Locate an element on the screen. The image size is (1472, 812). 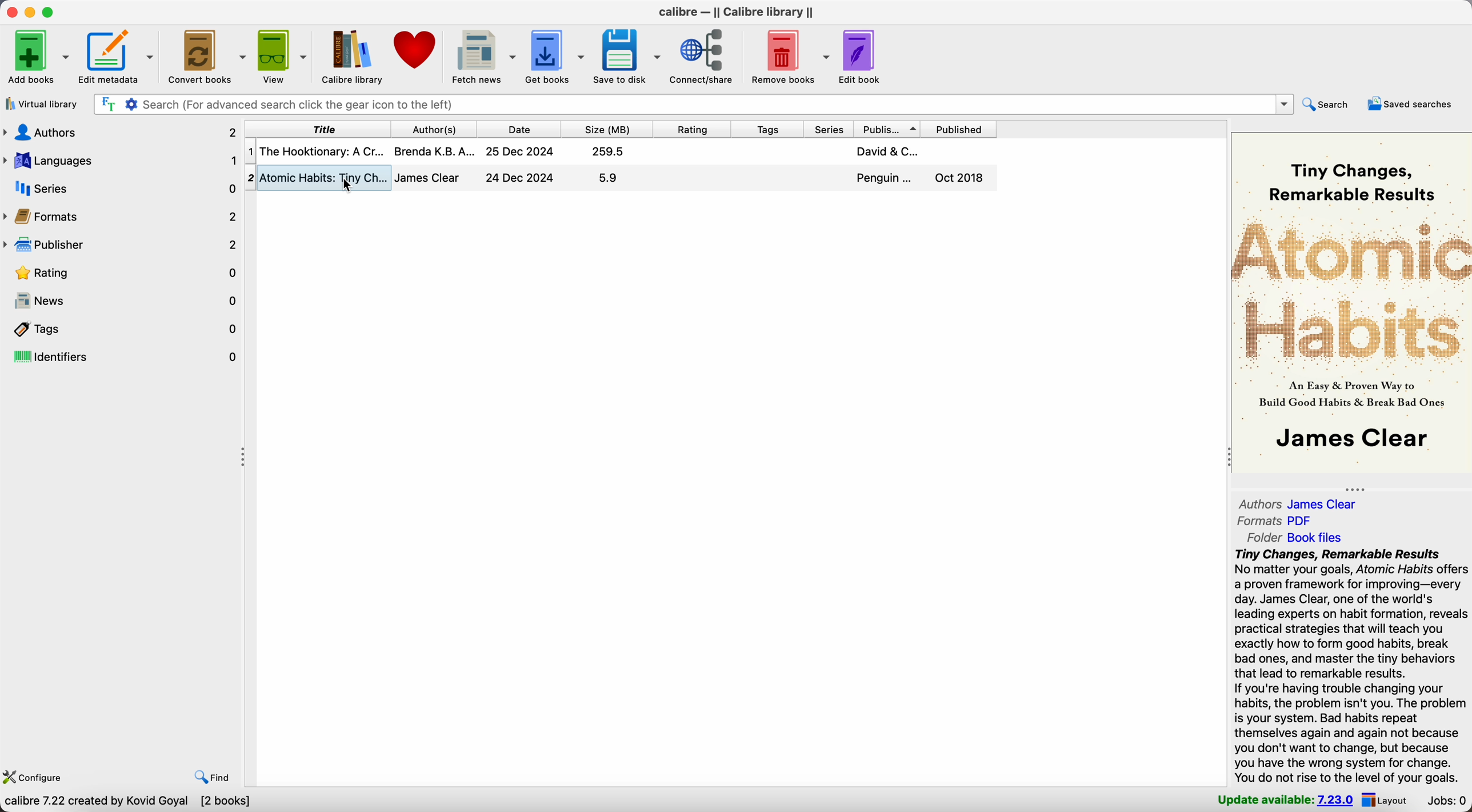
search is located at coordinates (1330, 105).